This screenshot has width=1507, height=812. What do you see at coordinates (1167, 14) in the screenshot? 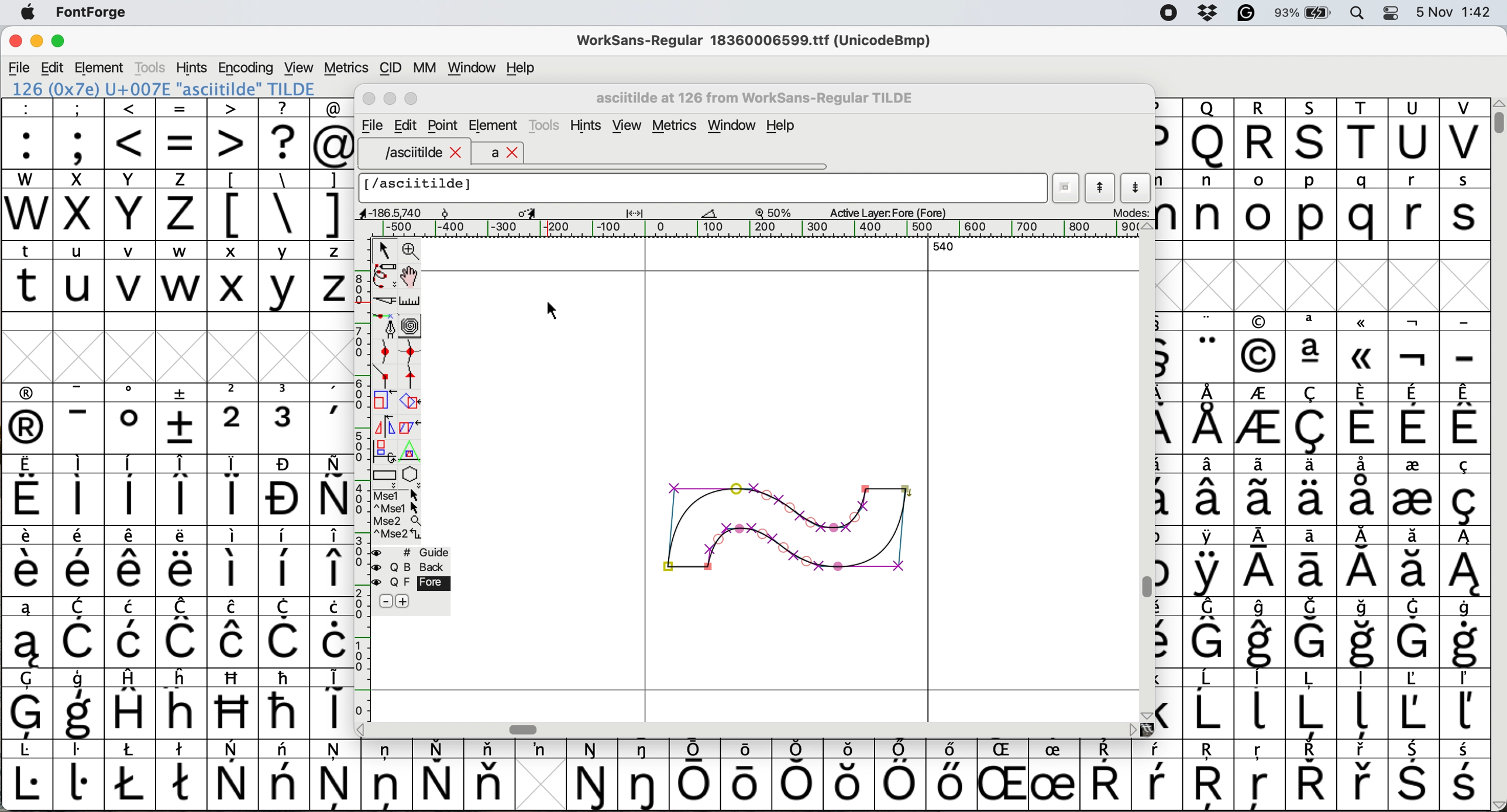
I see `screen recorder` at bounding box center [1167, 14].